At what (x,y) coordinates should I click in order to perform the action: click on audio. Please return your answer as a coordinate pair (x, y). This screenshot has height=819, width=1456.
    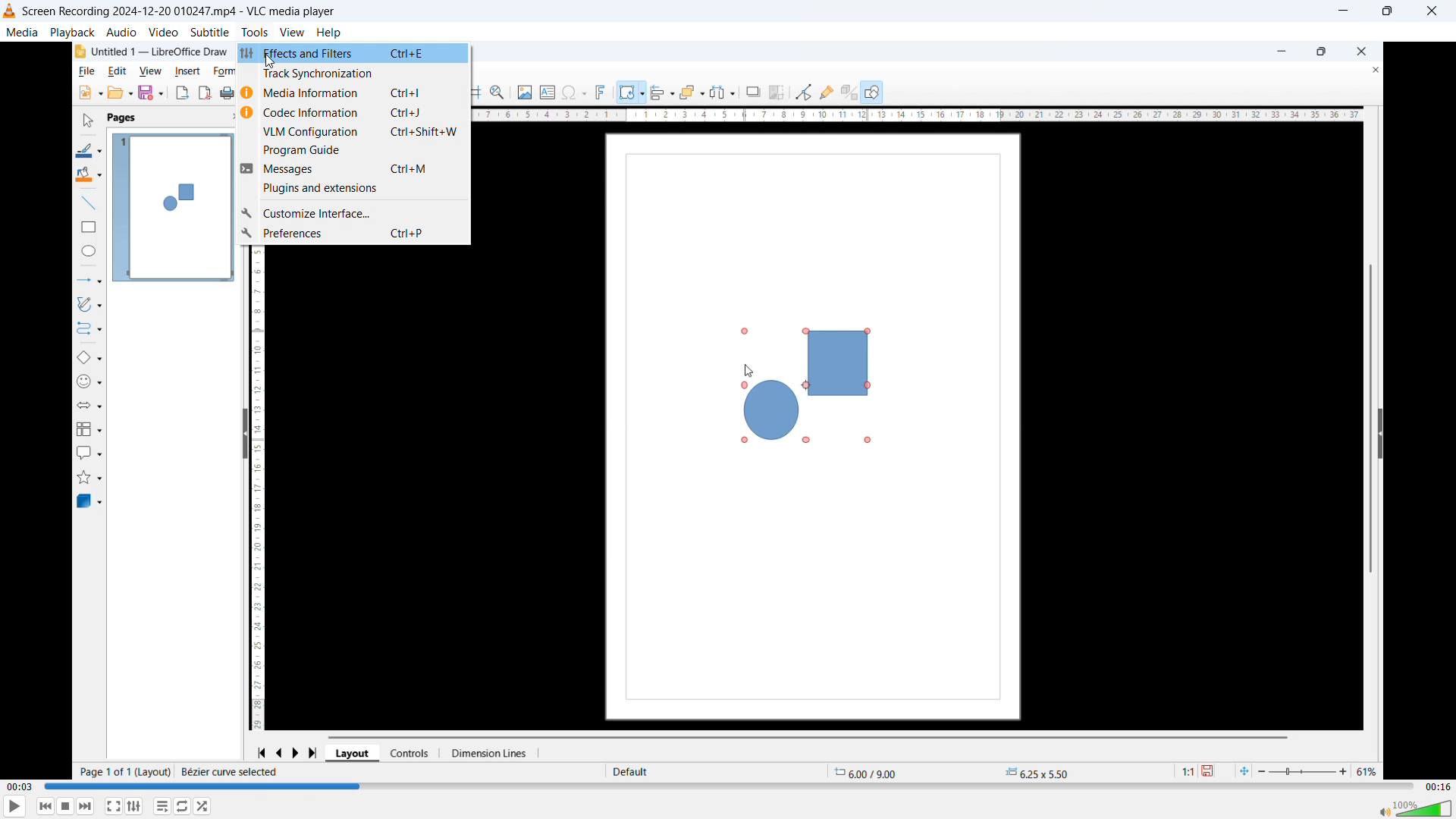
    Looking at the image, I should click on (121, 33).